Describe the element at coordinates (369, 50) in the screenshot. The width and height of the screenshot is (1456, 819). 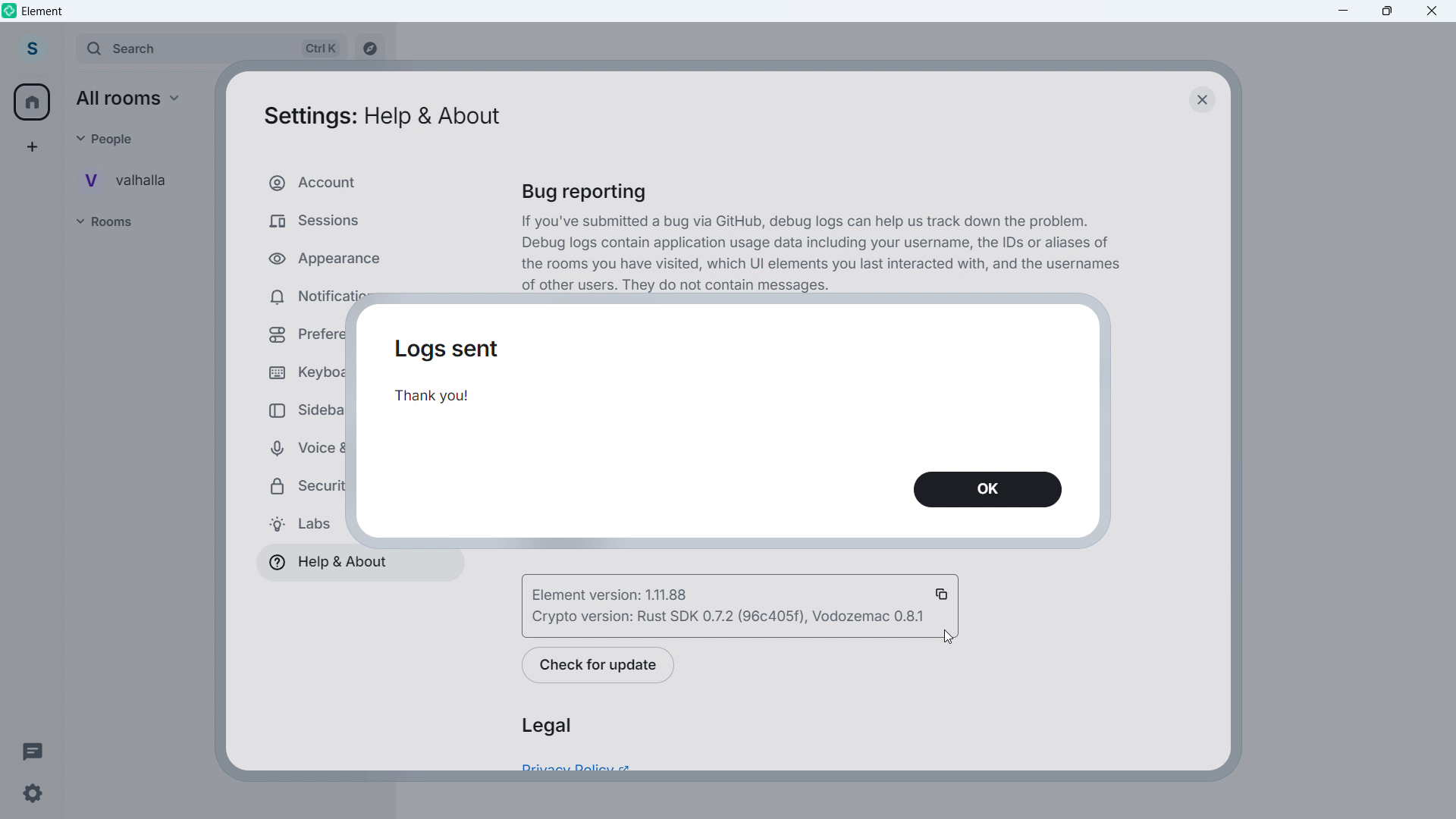
I see `Explore rooms ` at that location.